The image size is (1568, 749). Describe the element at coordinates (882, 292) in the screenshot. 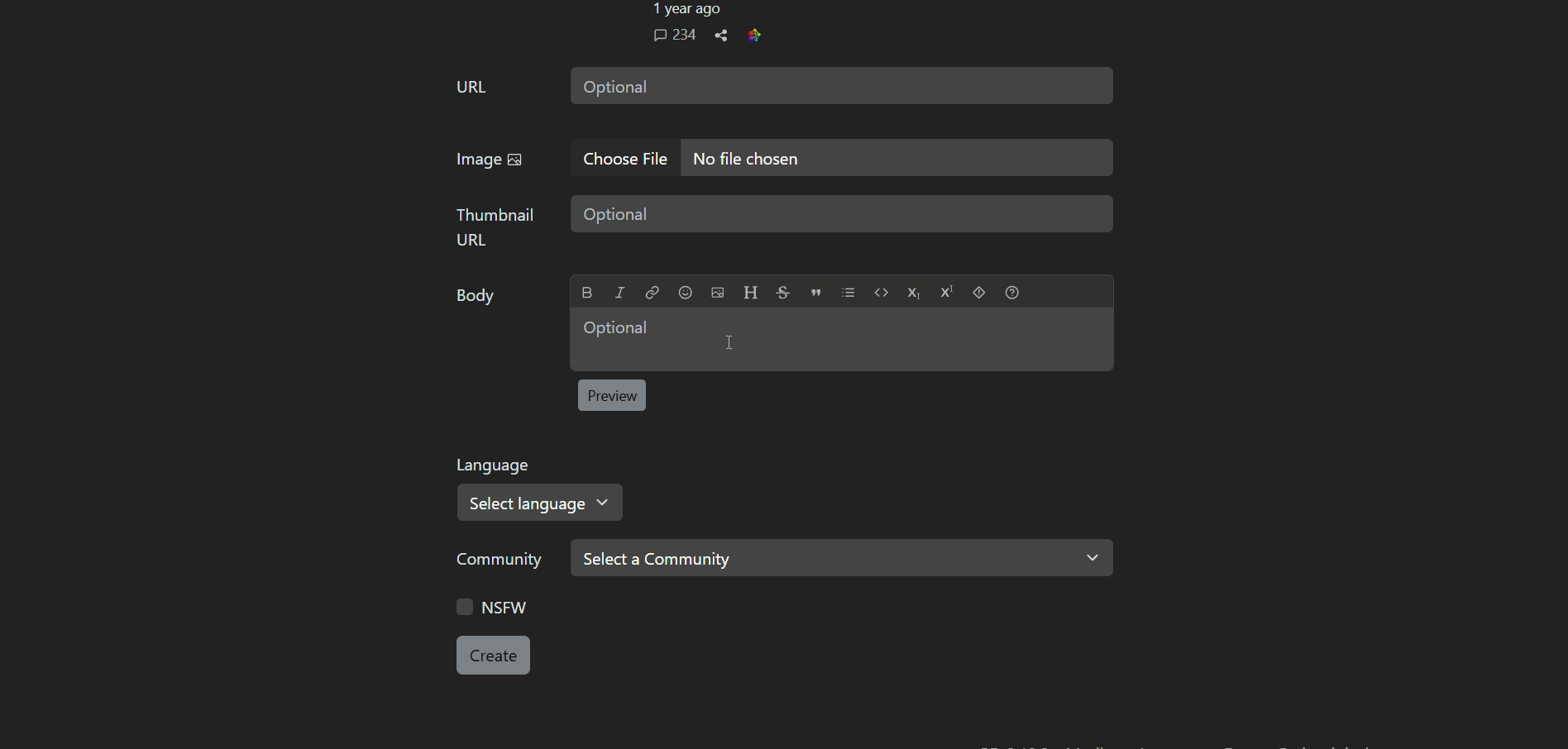

I see `Code` at that location.